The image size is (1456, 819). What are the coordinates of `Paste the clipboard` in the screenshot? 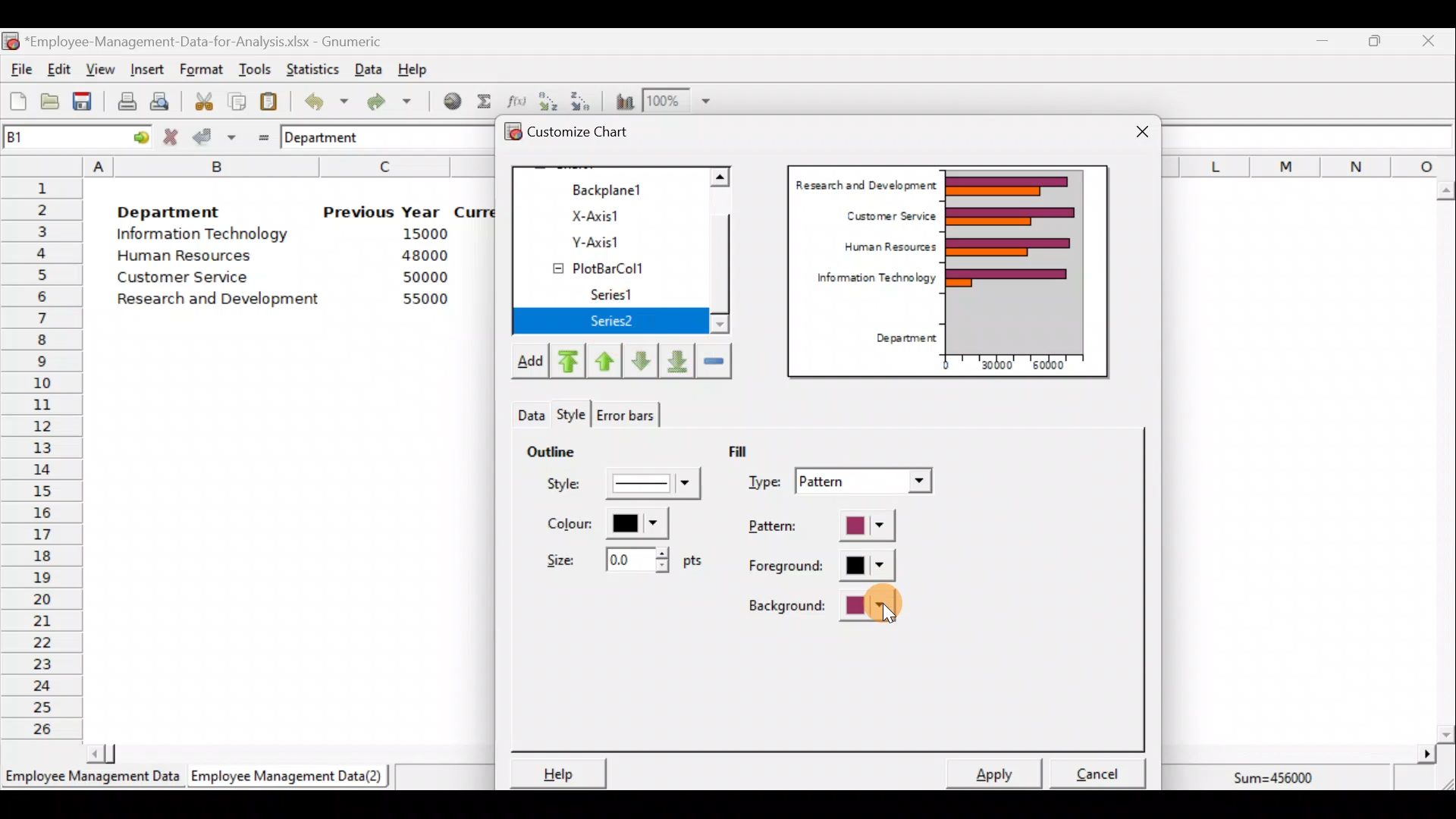 It's located at (268, 101).